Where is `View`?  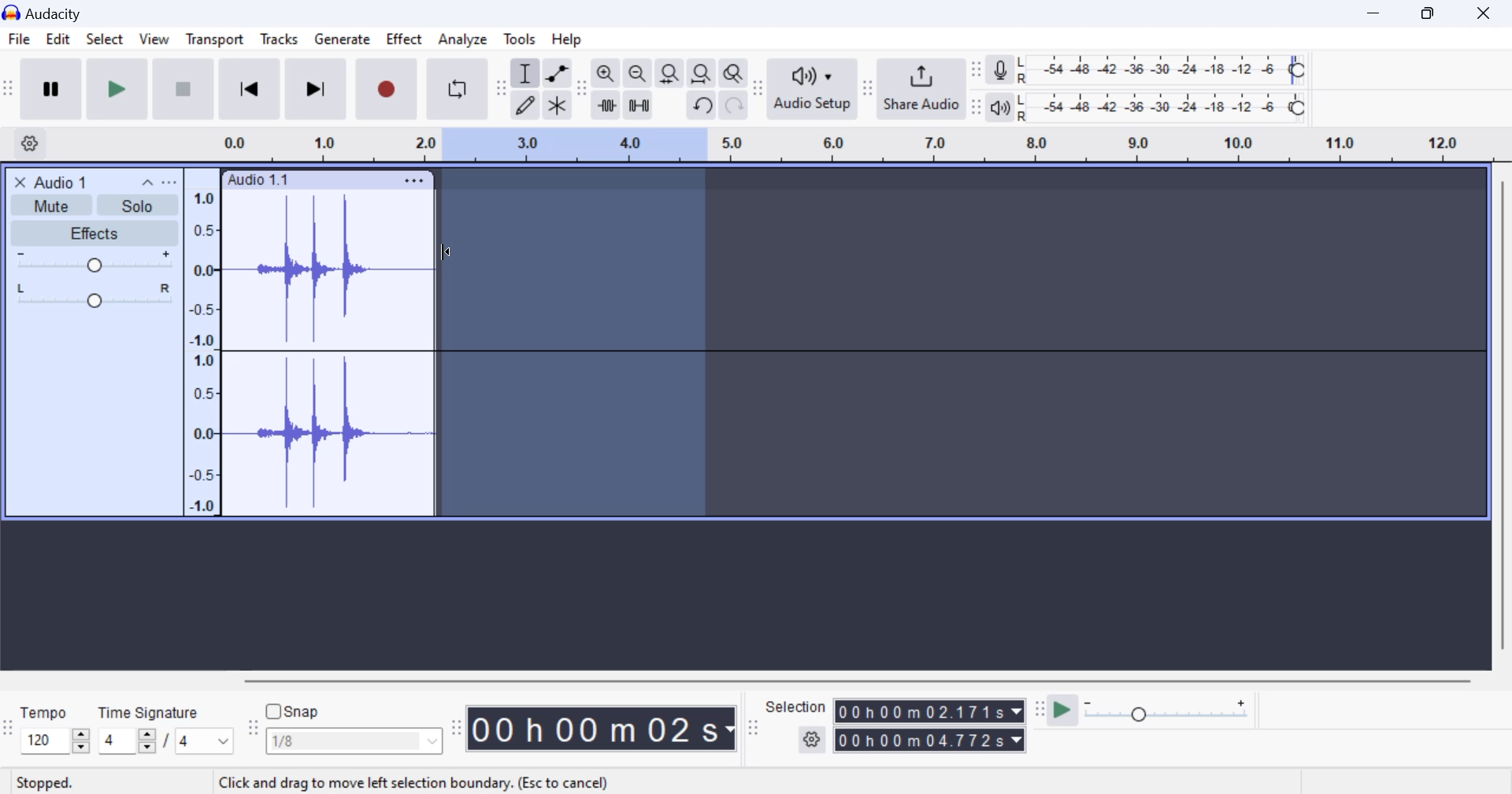 View is located at coordinates (153, 43).